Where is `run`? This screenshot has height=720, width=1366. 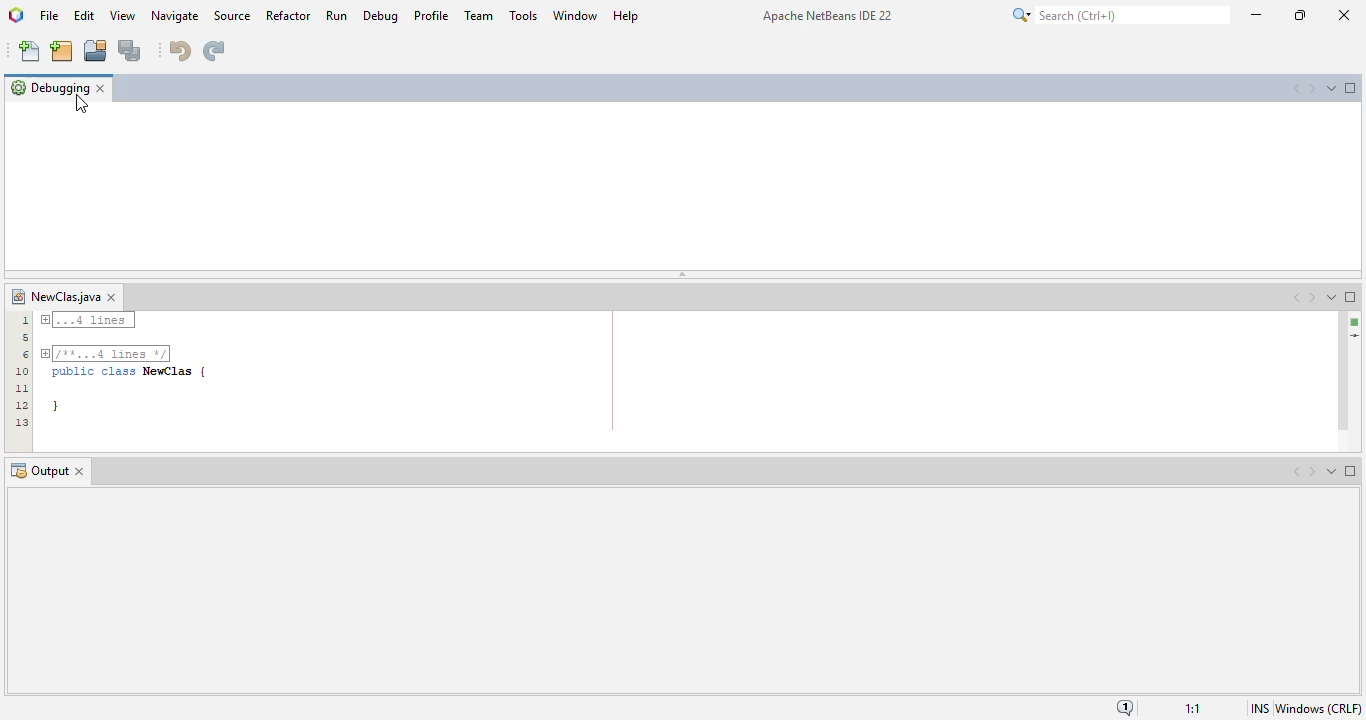 run is located at coordinates (336, 15).